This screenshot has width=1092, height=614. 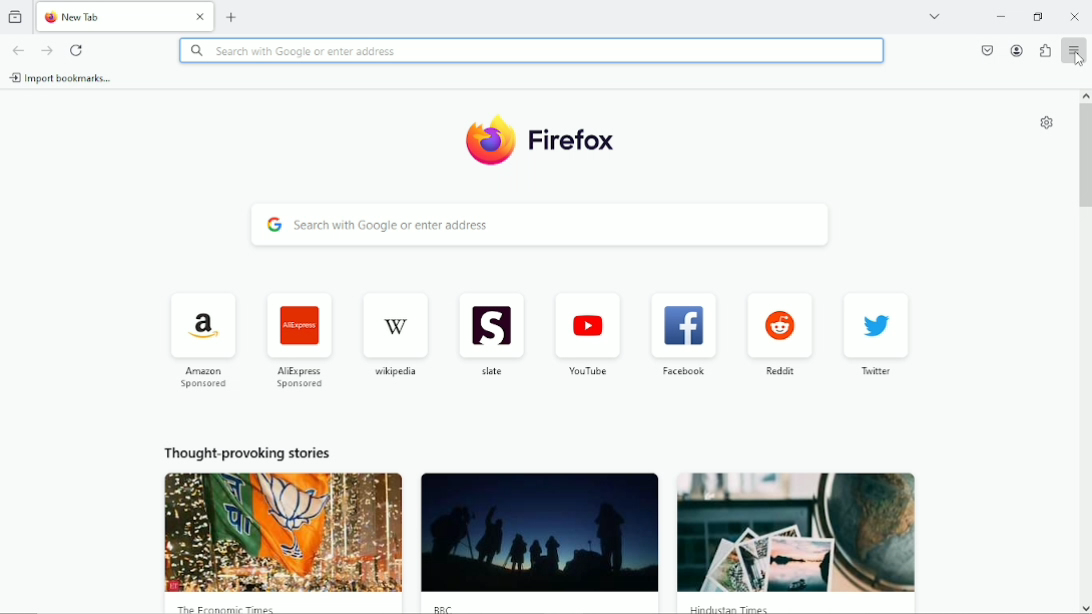 I want to click on Slate, so click(x=490, y=334).